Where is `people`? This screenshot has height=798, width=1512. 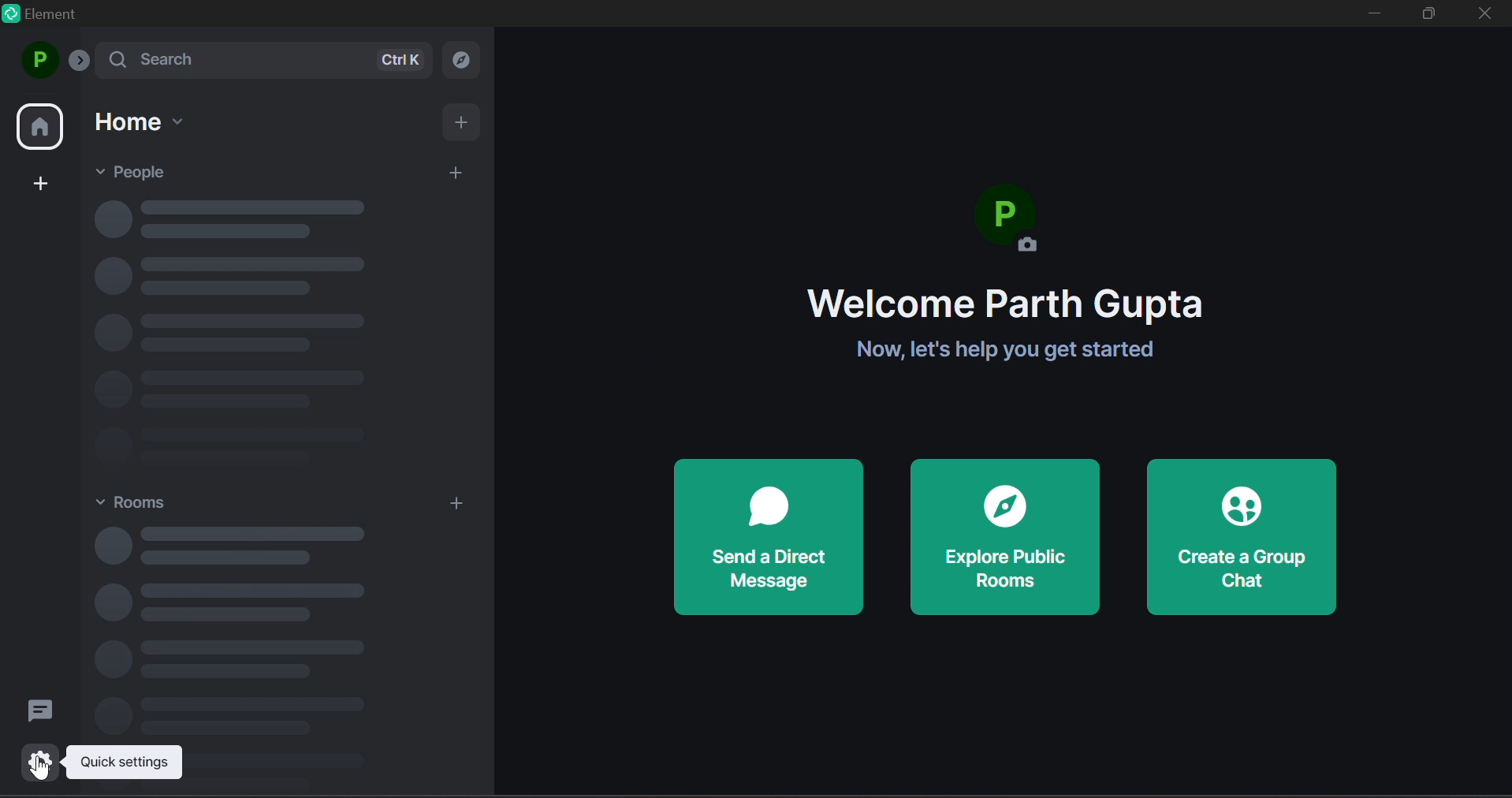
people is located at coordinates (140, 171).